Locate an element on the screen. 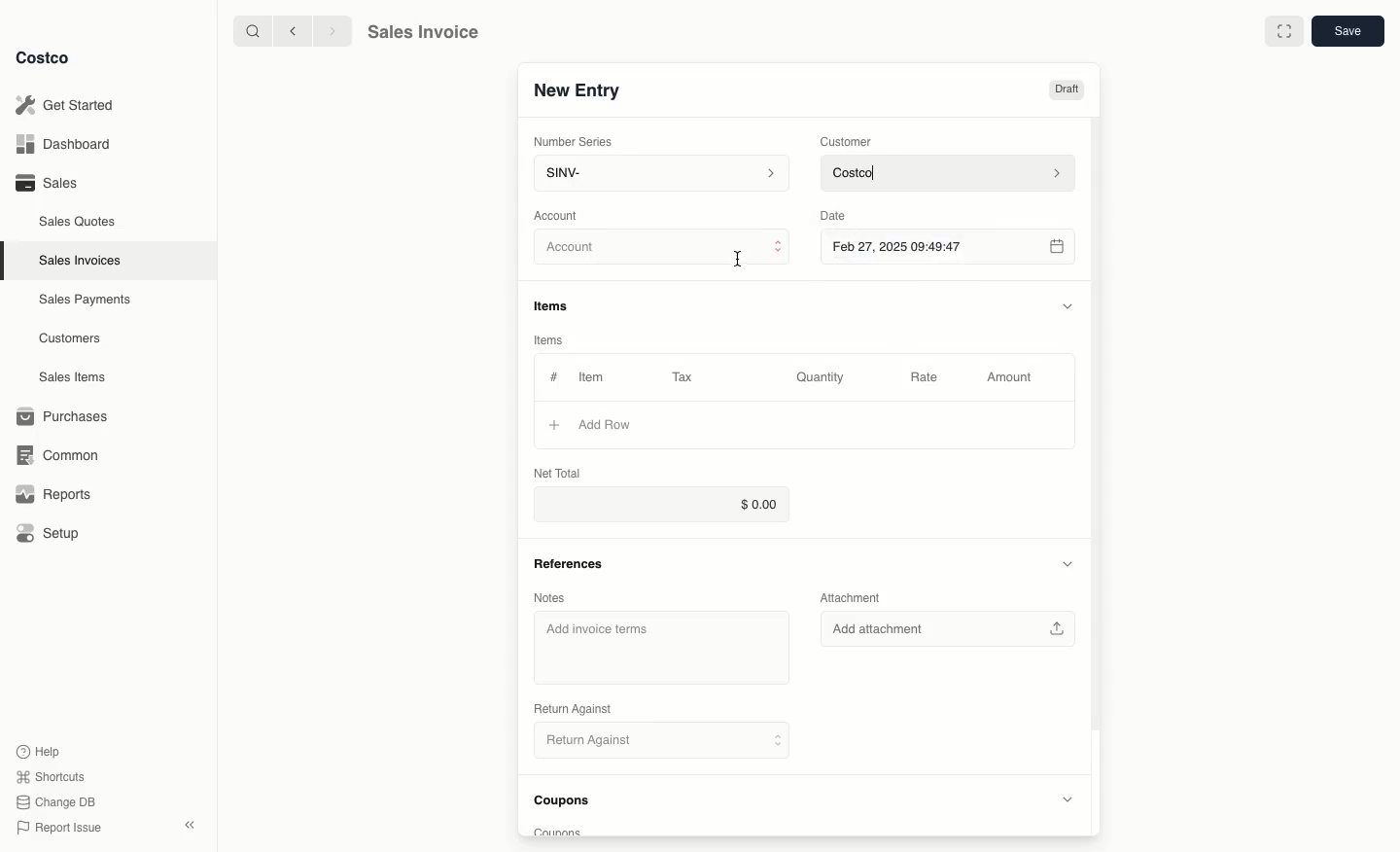 Image resolution: width=1400 pixels, height=852 pixels. Amount is located at coordinates (1007, 378).